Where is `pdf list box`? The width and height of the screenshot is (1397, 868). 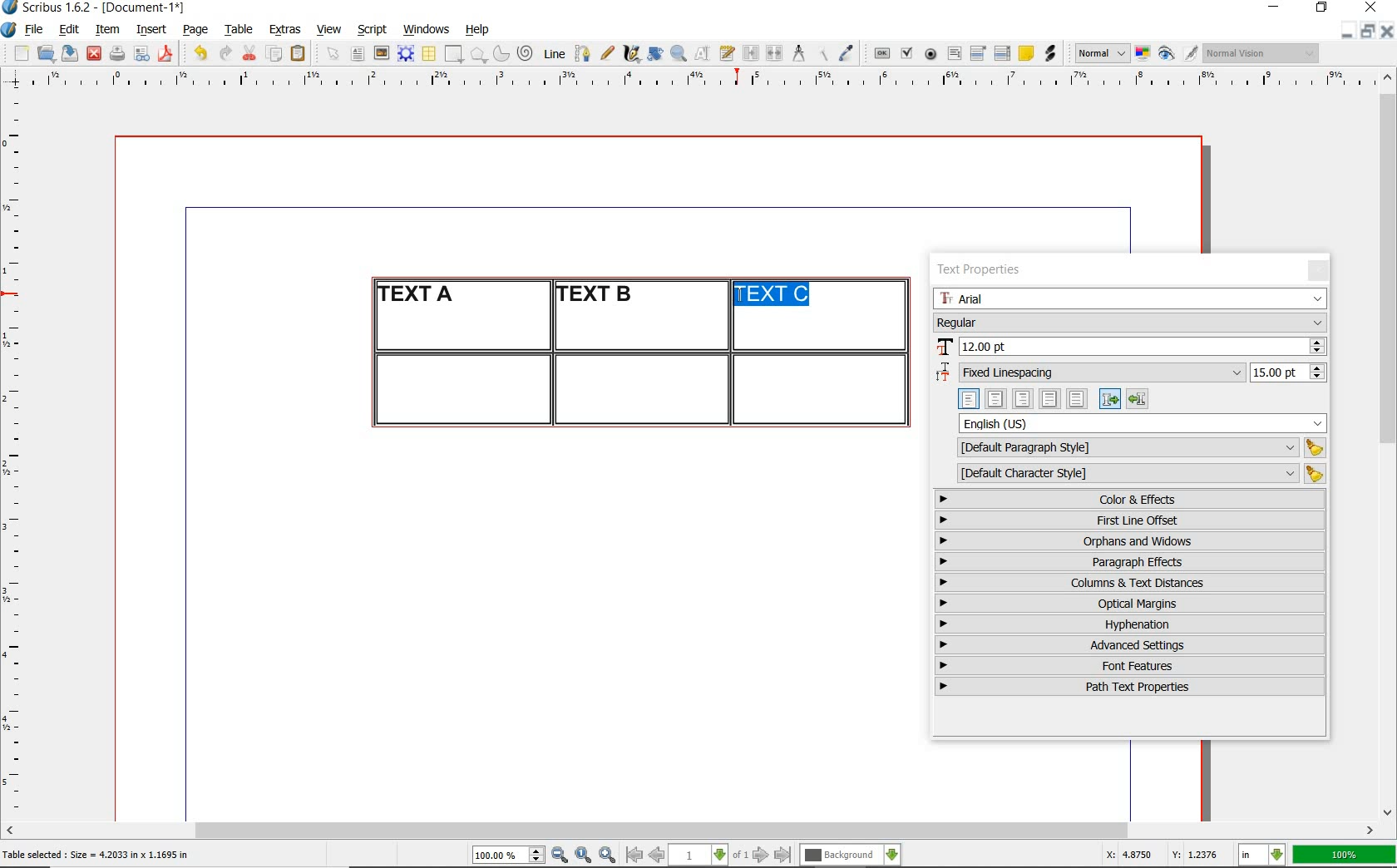 pdf list box is located at coordinates (1003, 53).